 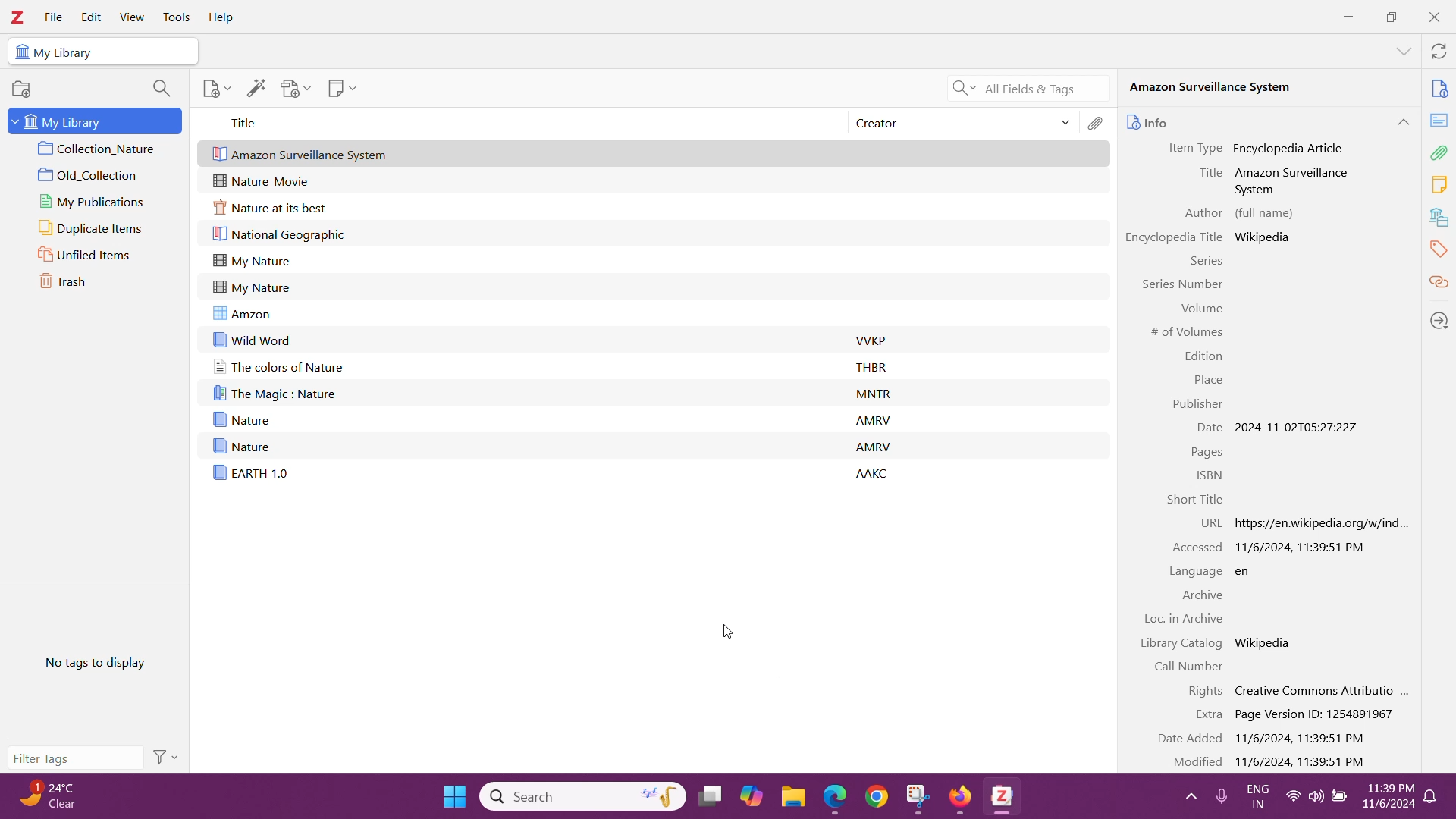 What do you see at coordinates (1194, 309) in the screenshot?
I see `Volume` at bounding box center [1194, 309].